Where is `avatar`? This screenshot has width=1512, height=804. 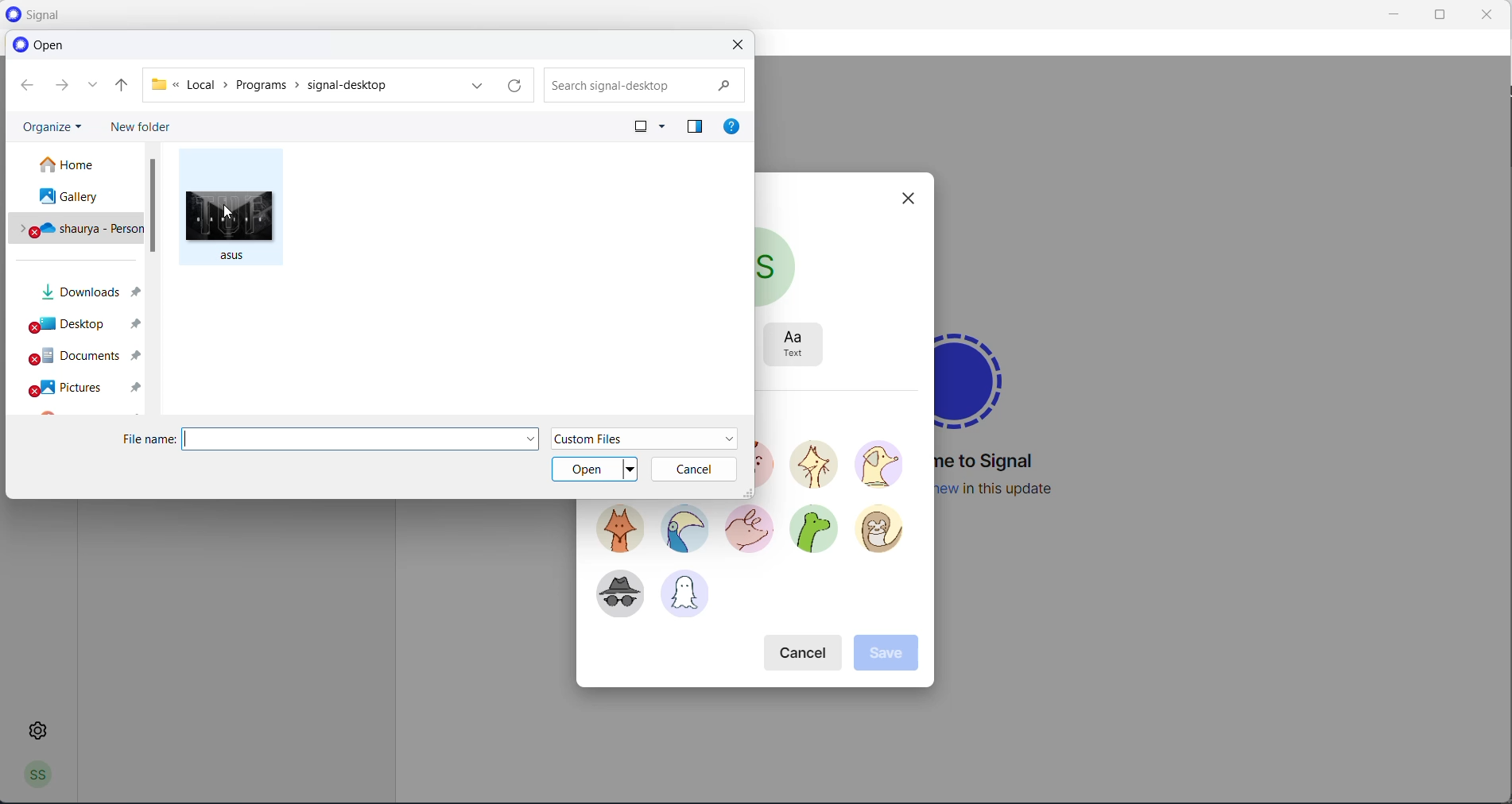
avatar is located at coordinates (820, 467).